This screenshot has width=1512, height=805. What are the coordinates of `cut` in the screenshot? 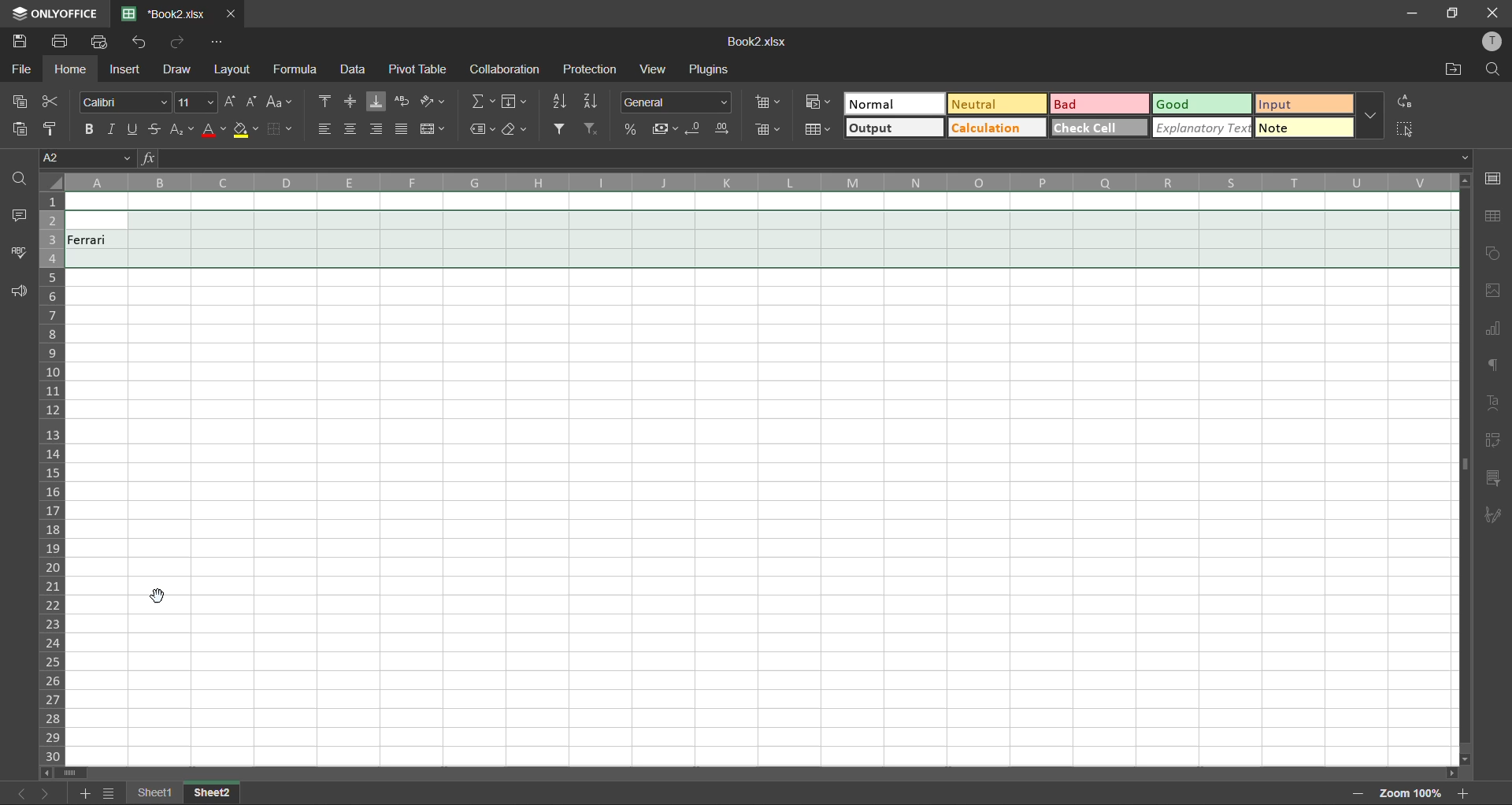 It's located at (52, 103).